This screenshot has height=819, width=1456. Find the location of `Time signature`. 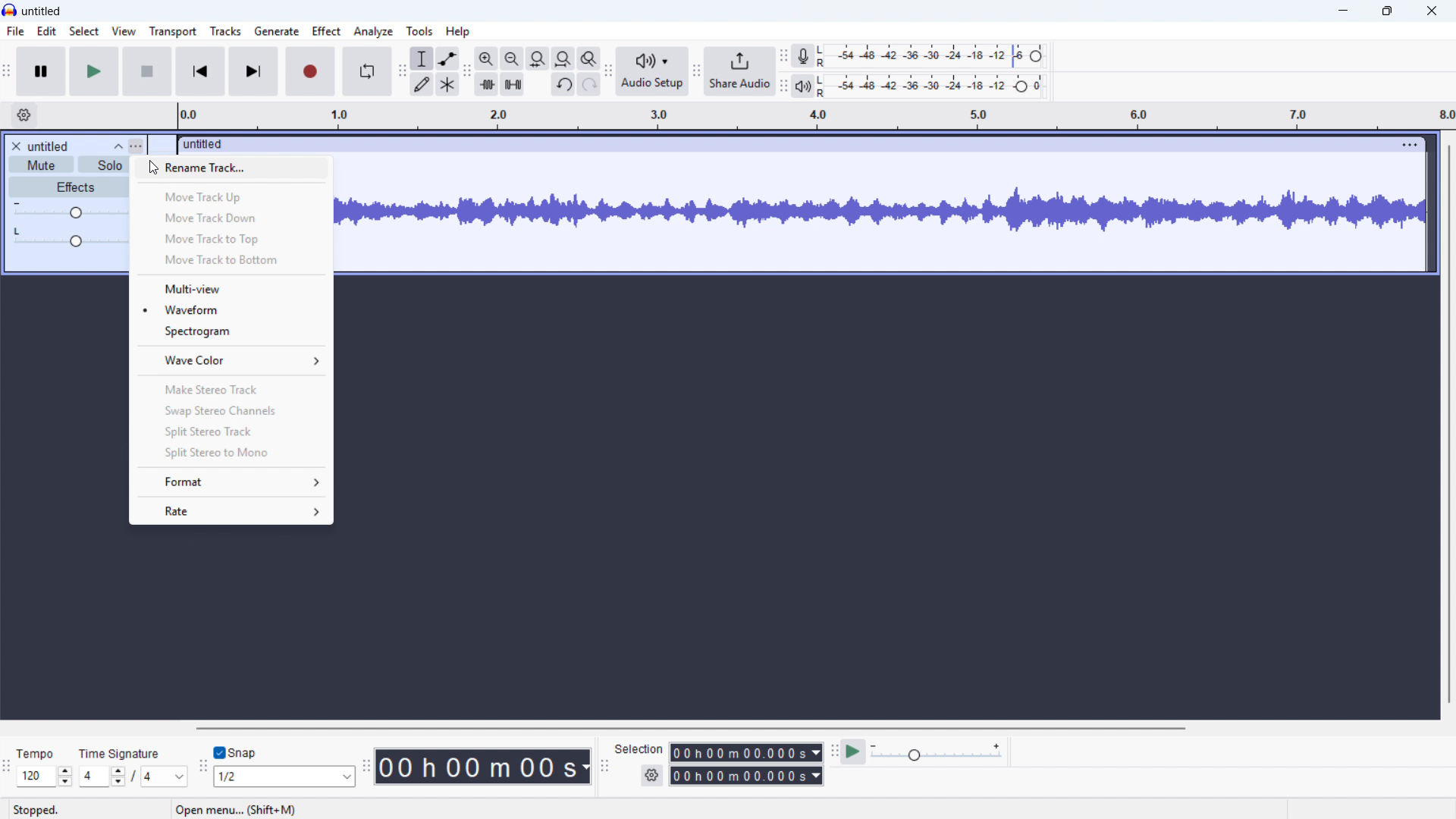

Time signature is located at coordinates (121, 752).